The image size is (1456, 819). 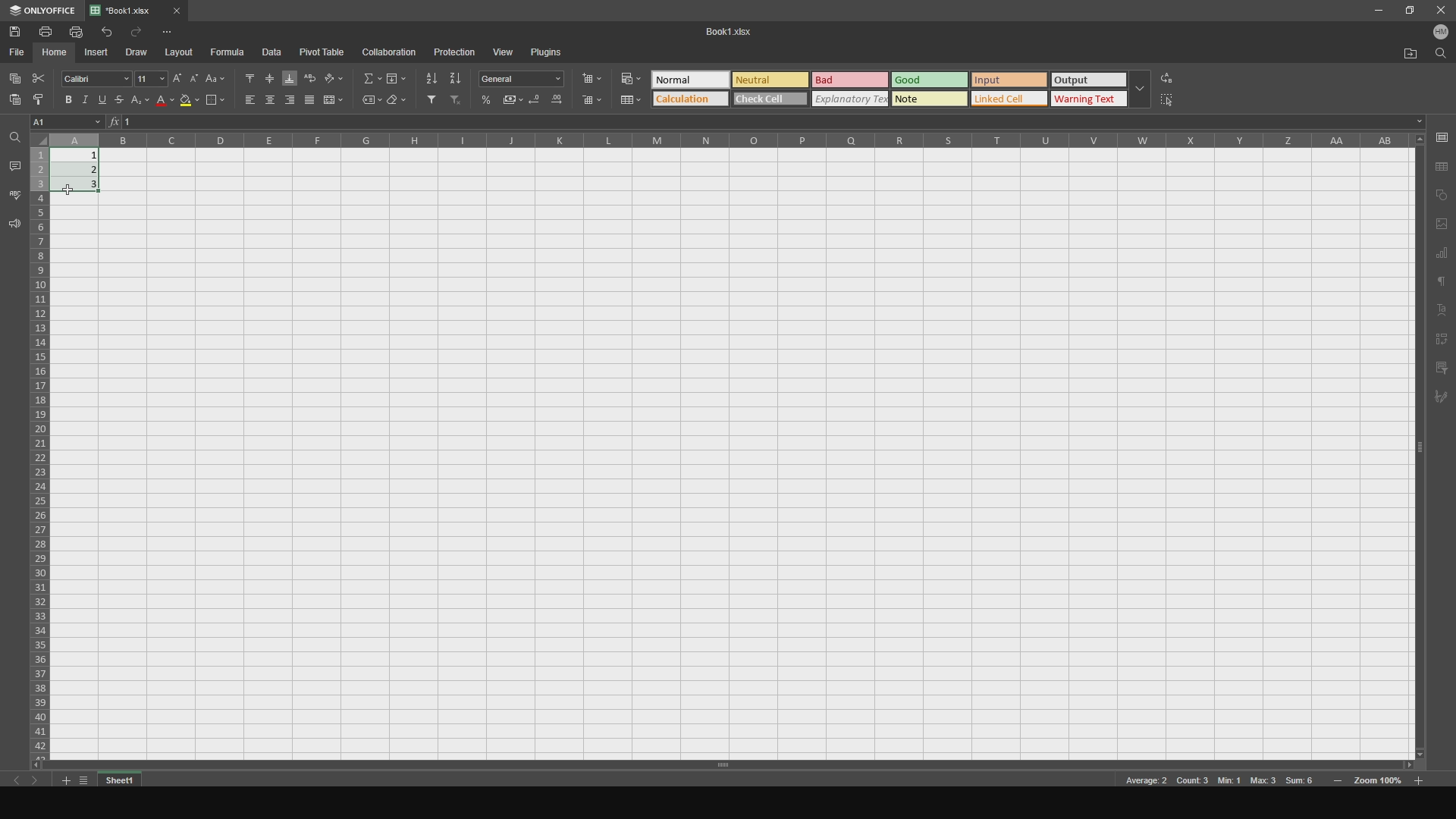 I want to click on orientation, so click(x=336, y=77).